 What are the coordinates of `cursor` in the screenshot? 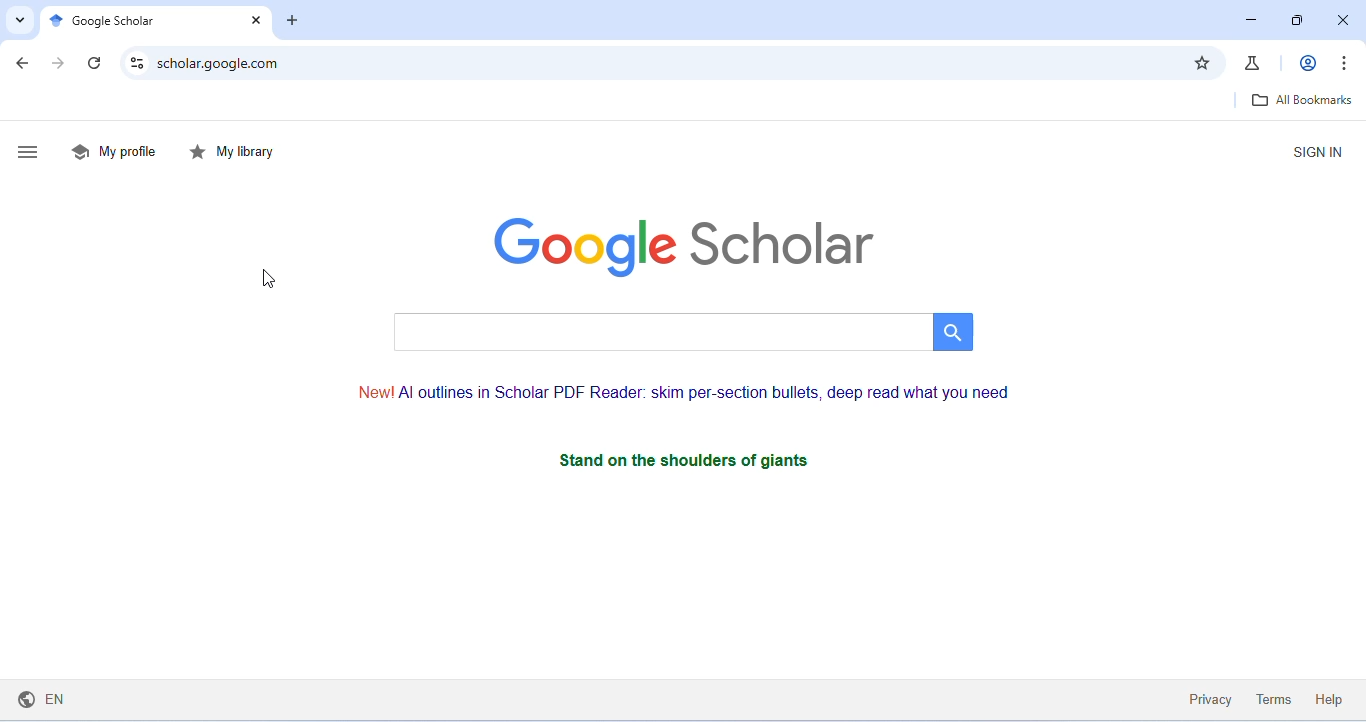 It's located at (270, 280).